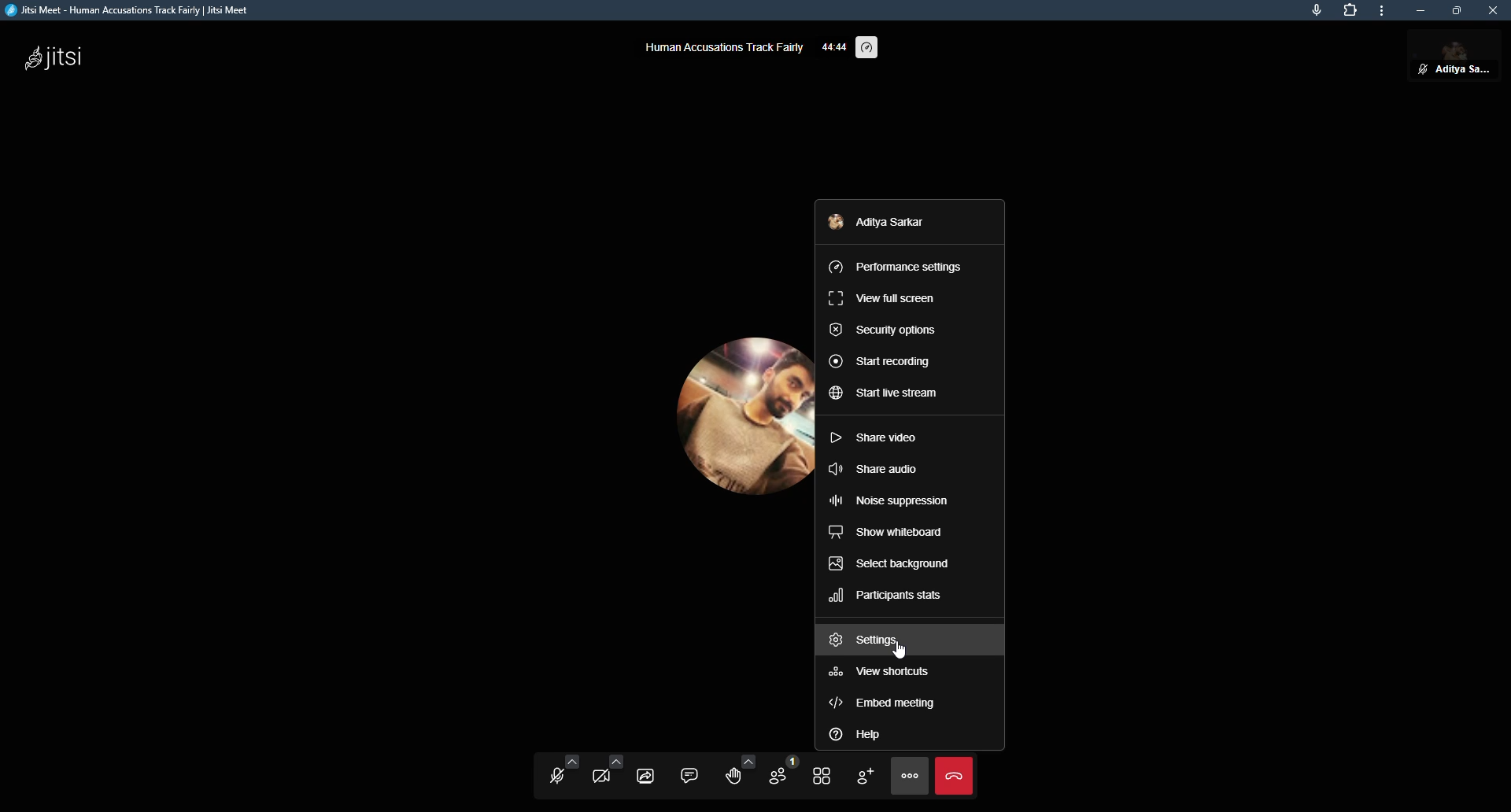  I want to click on invite people, so click(864, 774).